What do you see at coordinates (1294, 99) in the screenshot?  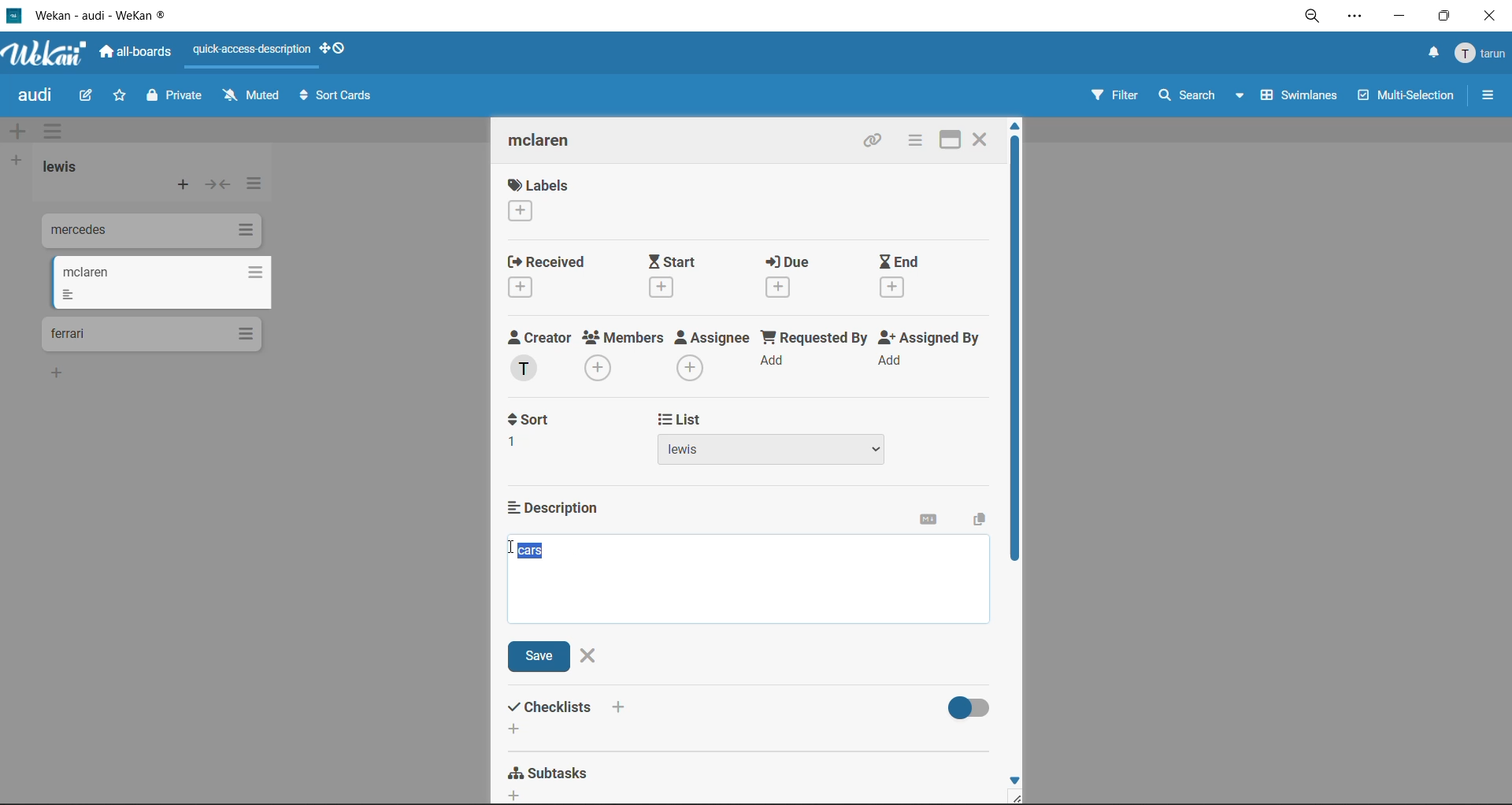 I see `swimlanes` at bounding box center [1294, 99].